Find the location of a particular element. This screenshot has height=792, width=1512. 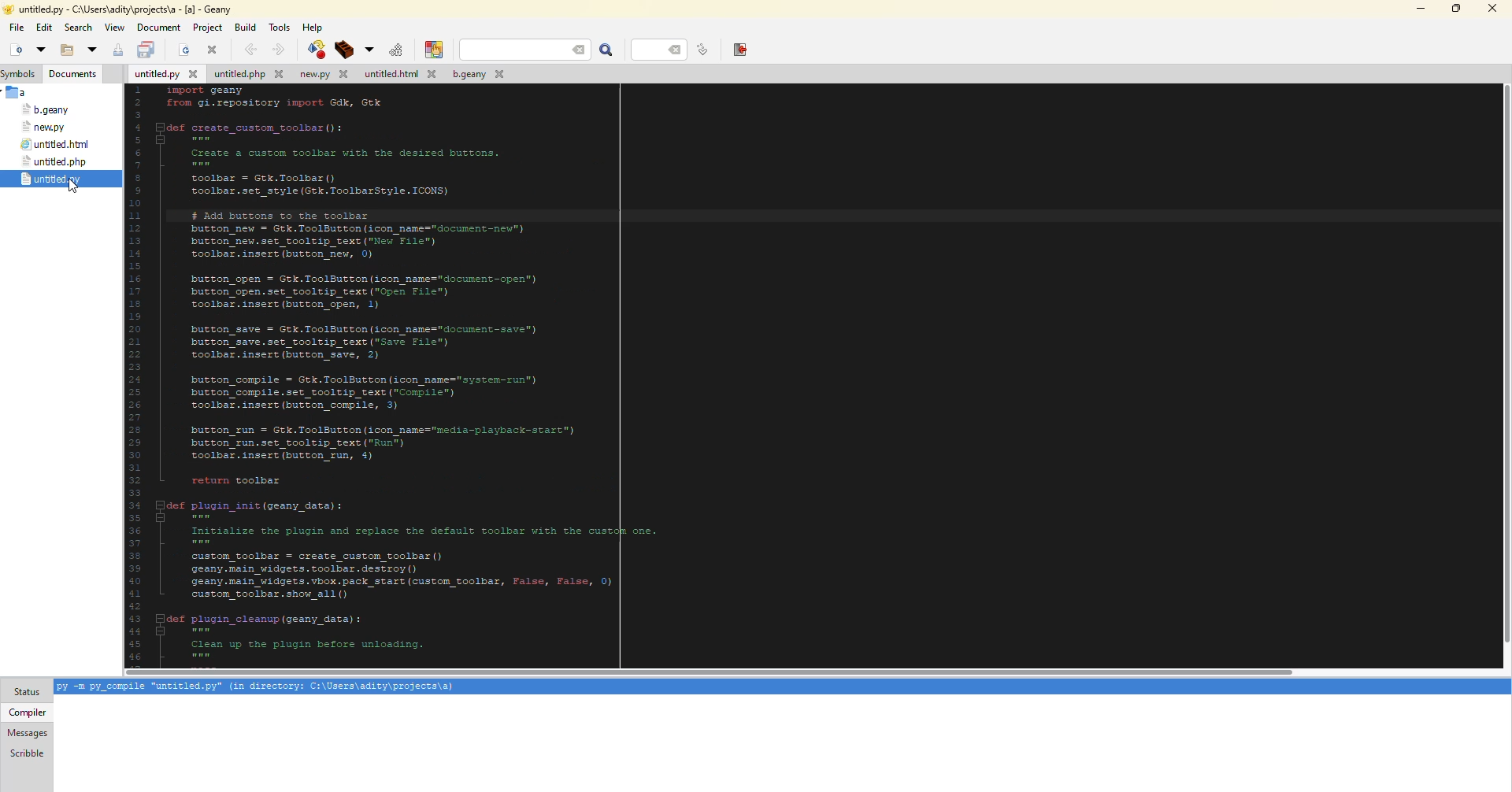

untitled.py is located at coordinates (163, 75).